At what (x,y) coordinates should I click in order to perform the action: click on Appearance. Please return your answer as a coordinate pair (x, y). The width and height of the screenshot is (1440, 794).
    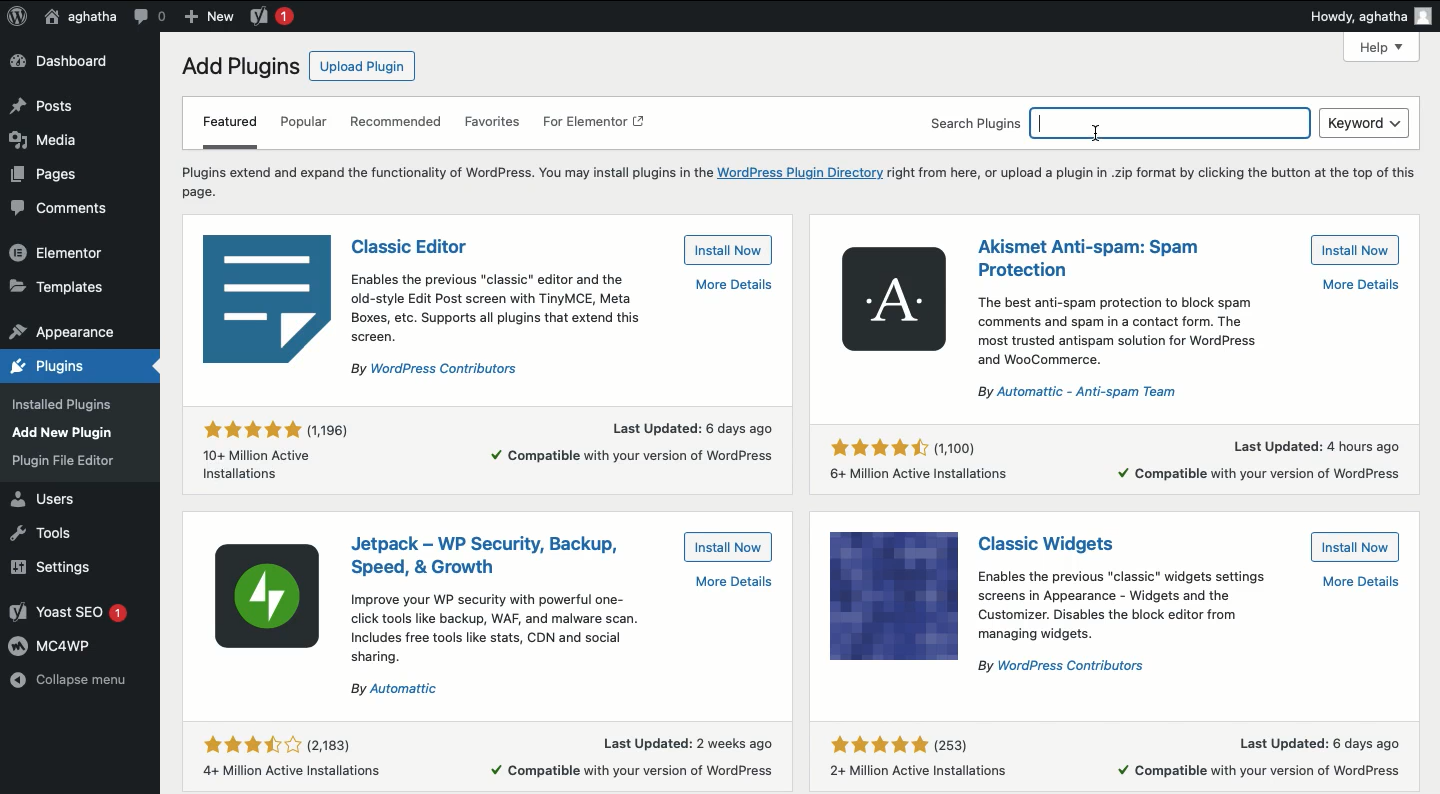
    Looking at the image, I should click on (73, 430).